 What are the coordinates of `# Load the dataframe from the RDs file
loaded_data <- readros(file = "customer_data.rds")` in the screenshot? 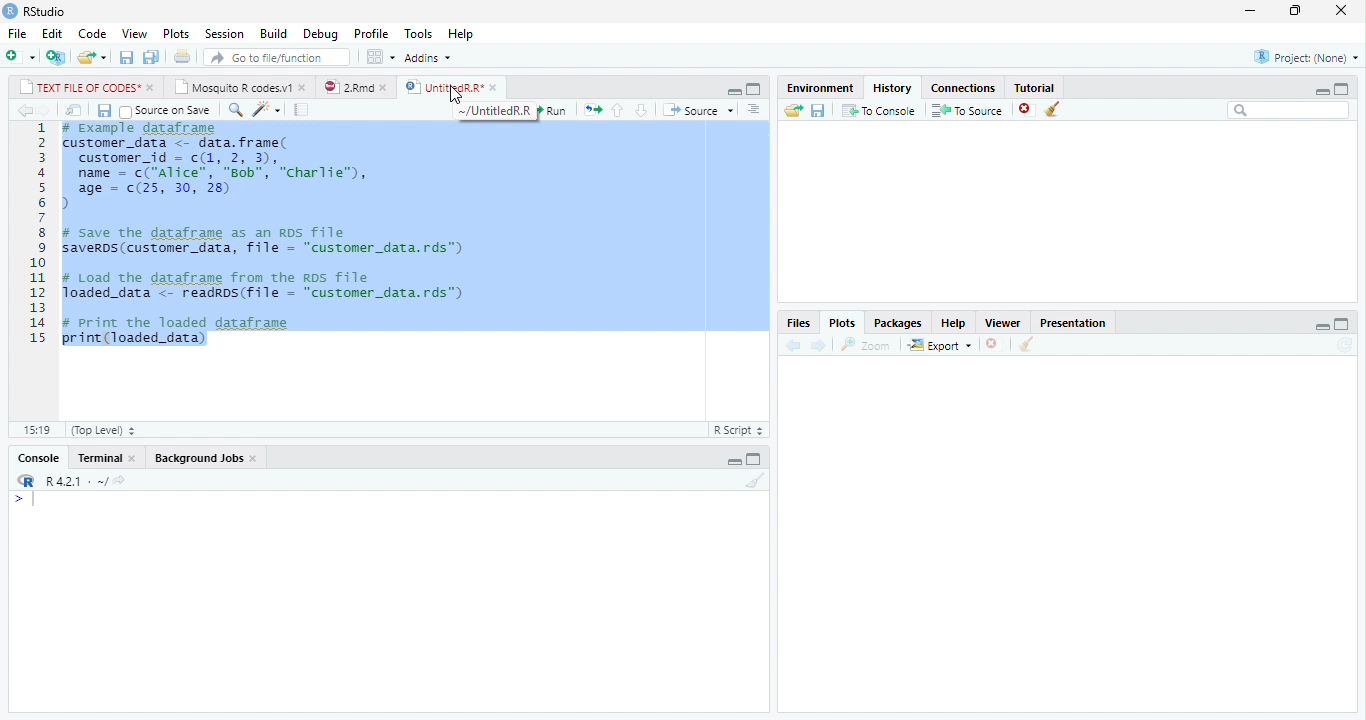 It's located at (266, 286).